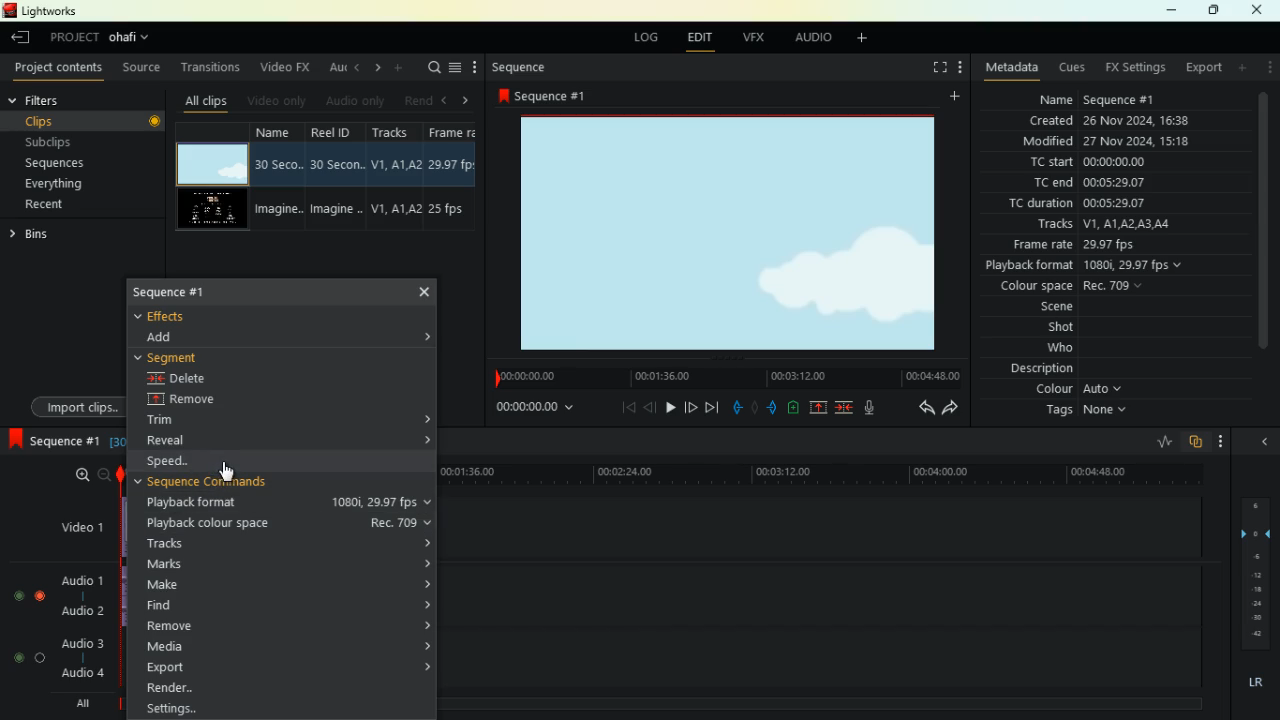 The width and height of the screenshot is (1280, 720). I want to click on name, so click(282, 178).